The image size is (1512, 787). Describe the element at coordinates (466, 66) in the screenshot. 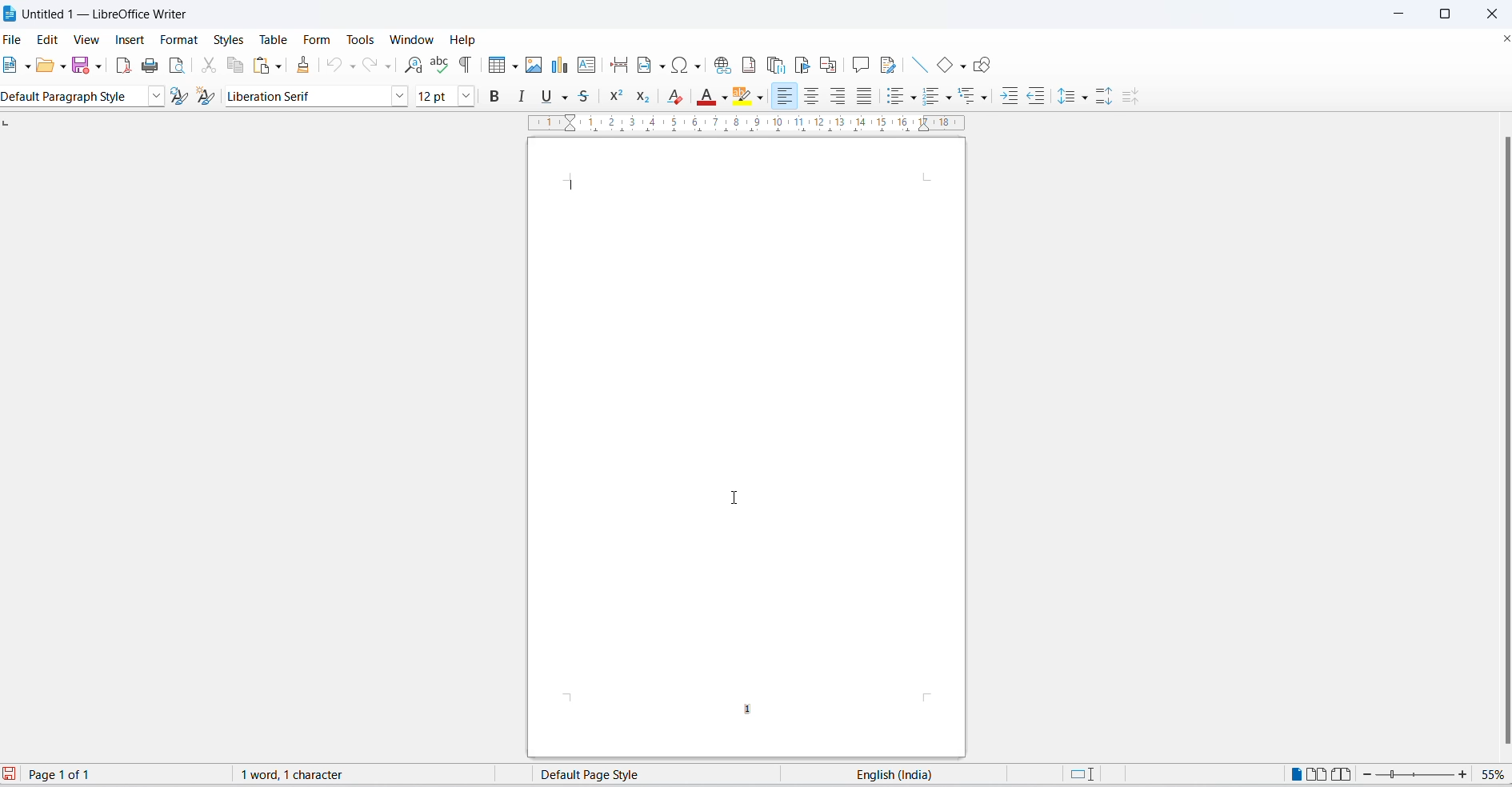

I see `toggle formatting marks` at that location.